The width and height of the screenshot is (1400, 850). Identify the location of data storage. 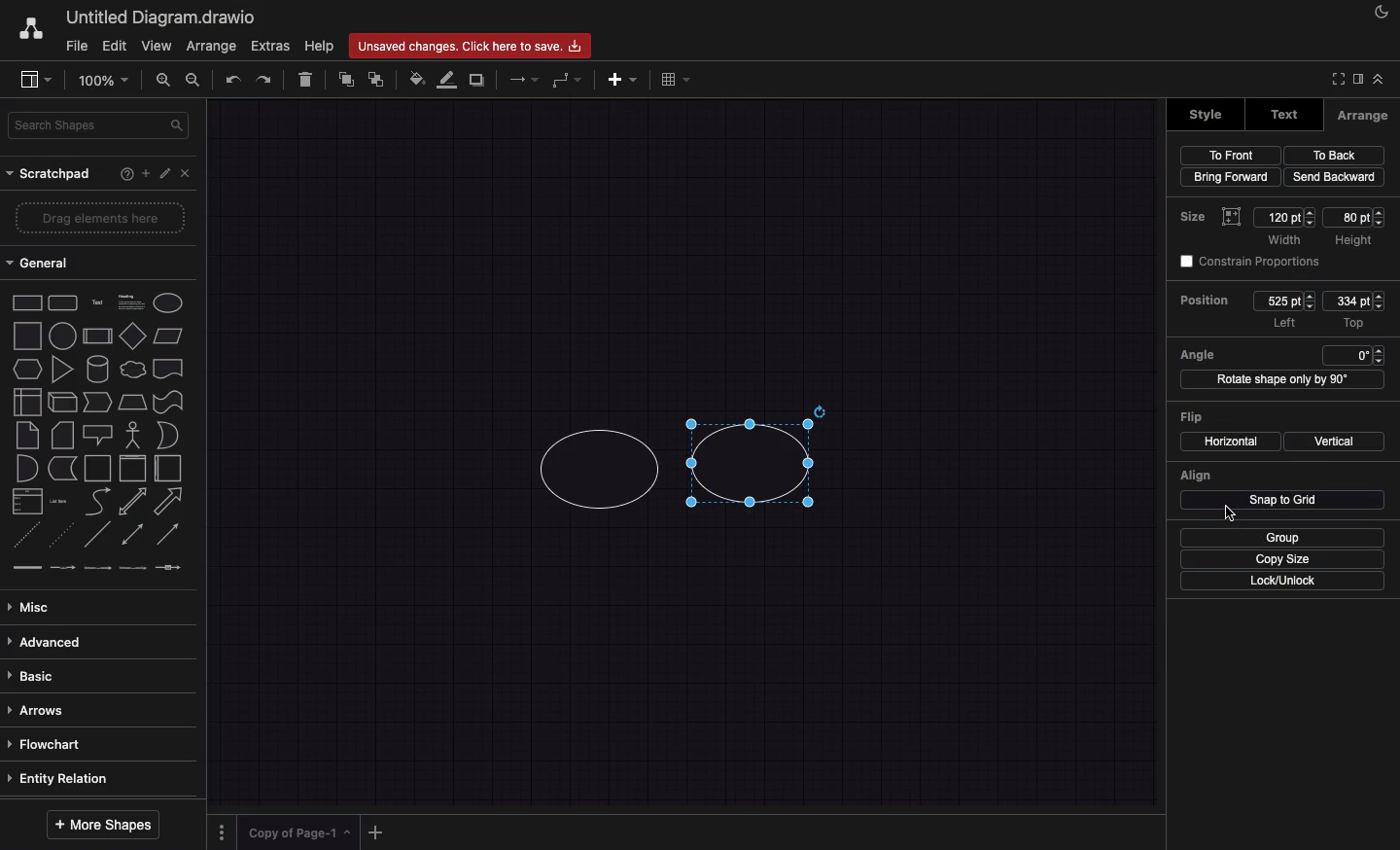
(61, 468).